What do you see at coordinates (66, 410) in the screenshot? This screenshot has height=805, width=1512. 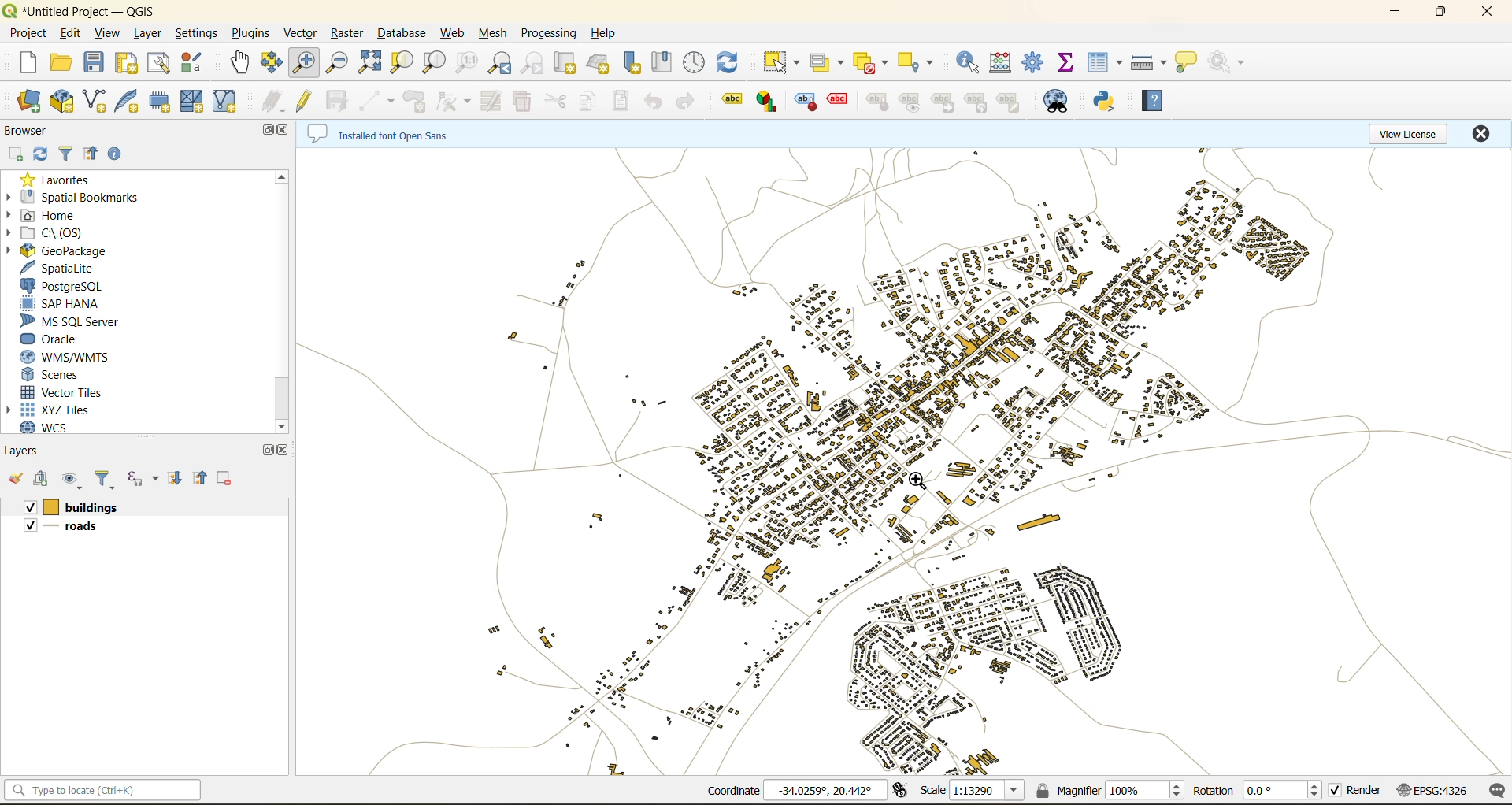 I see `xyz tiles` at bounding box center [66, 410].